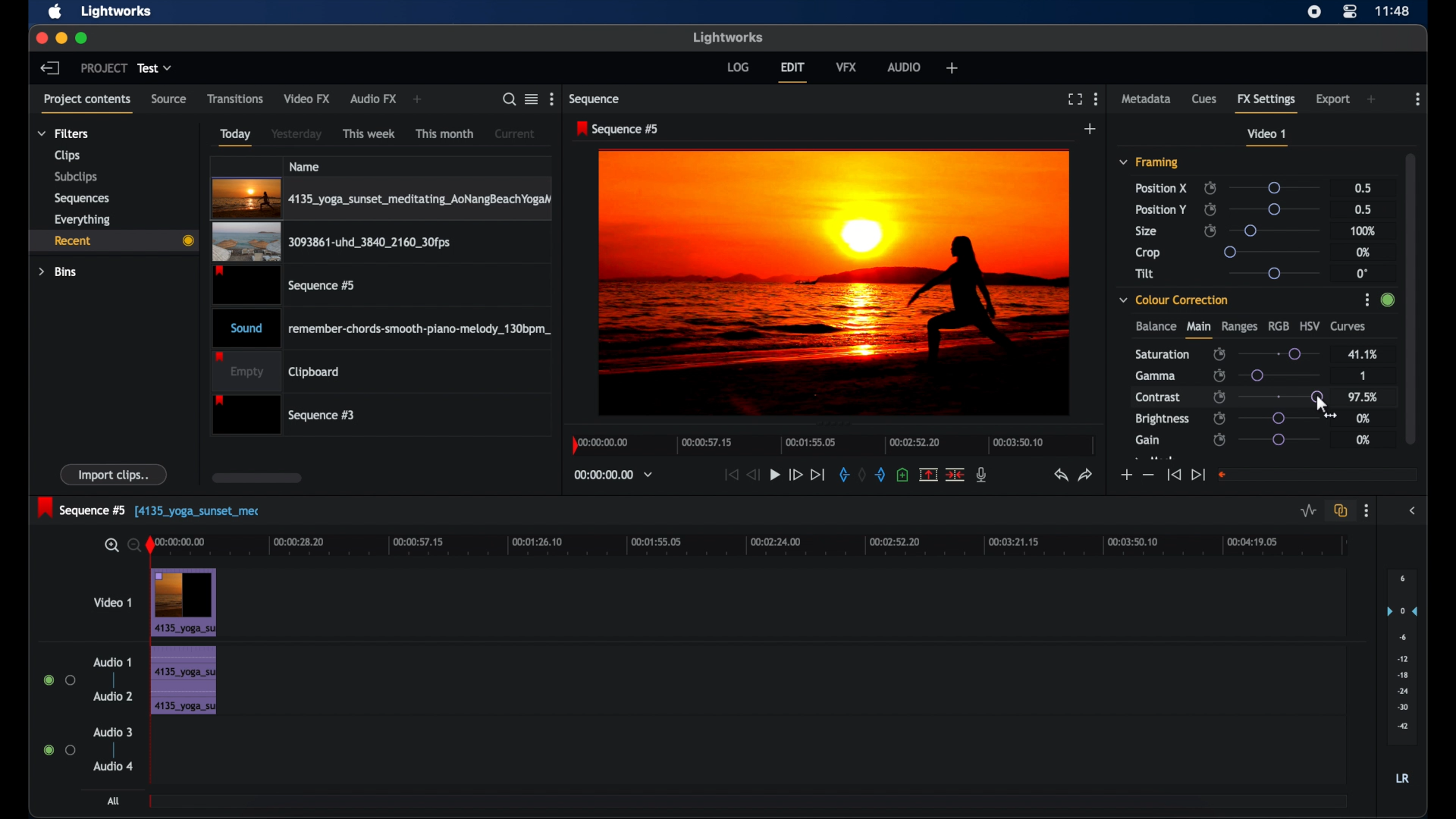 Image resolution: width=1456 pixels, height=819 pixels. What do you see at coordinates (169, 99) in the screenshot?
I see `source` at bounding box center [169, 99].